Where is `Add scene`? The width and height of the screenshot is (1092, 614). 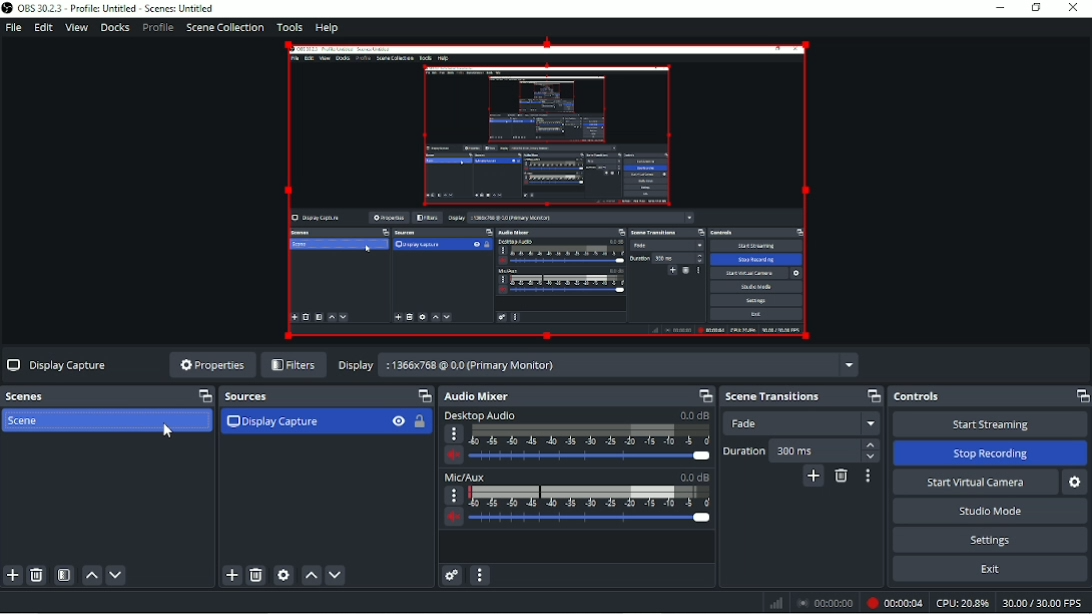 Add scene is located at coordinates (12, 576).